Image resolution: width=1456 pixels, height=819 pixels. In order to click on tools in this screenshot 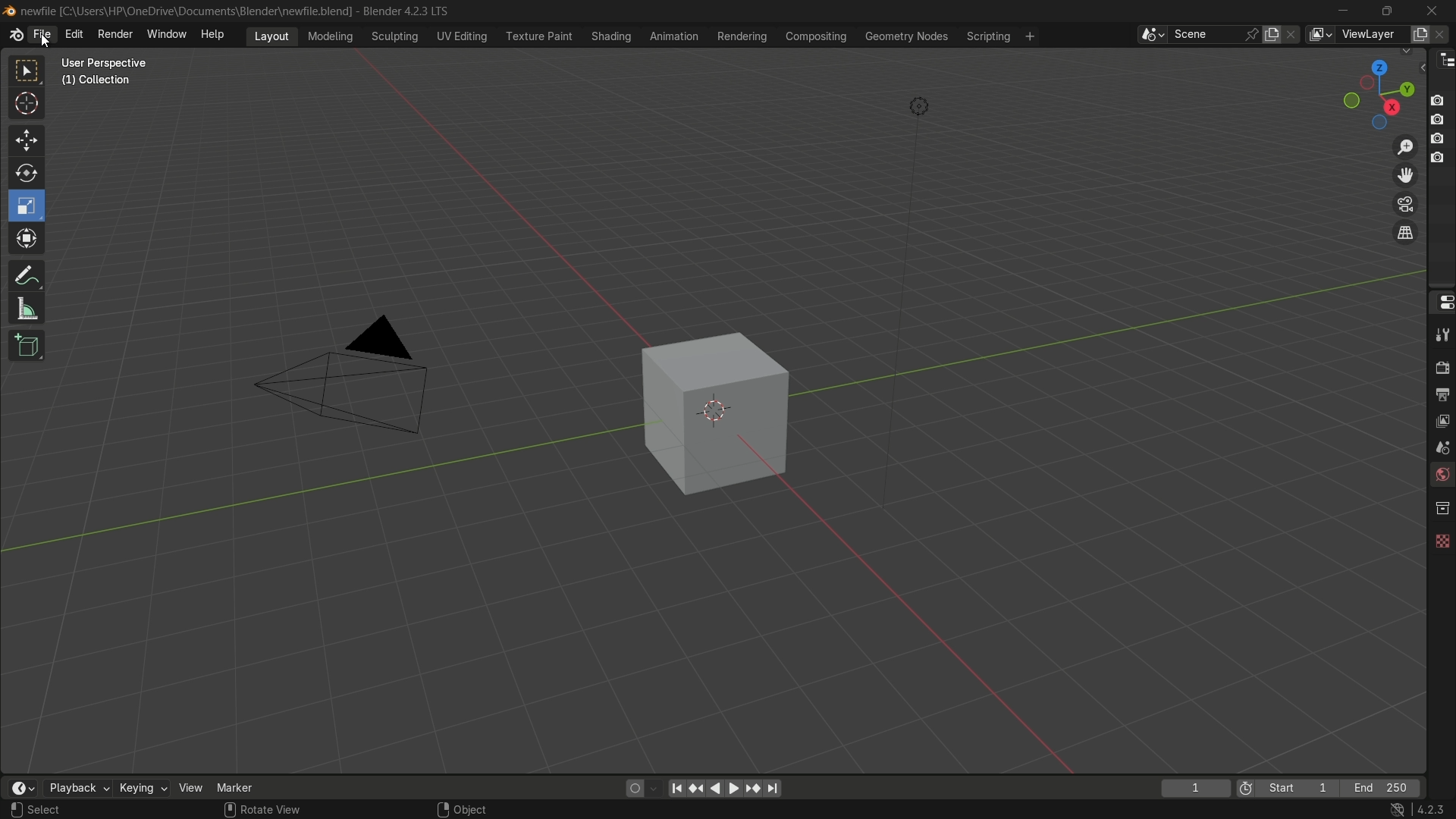, I will do `click(1441, 334)`.